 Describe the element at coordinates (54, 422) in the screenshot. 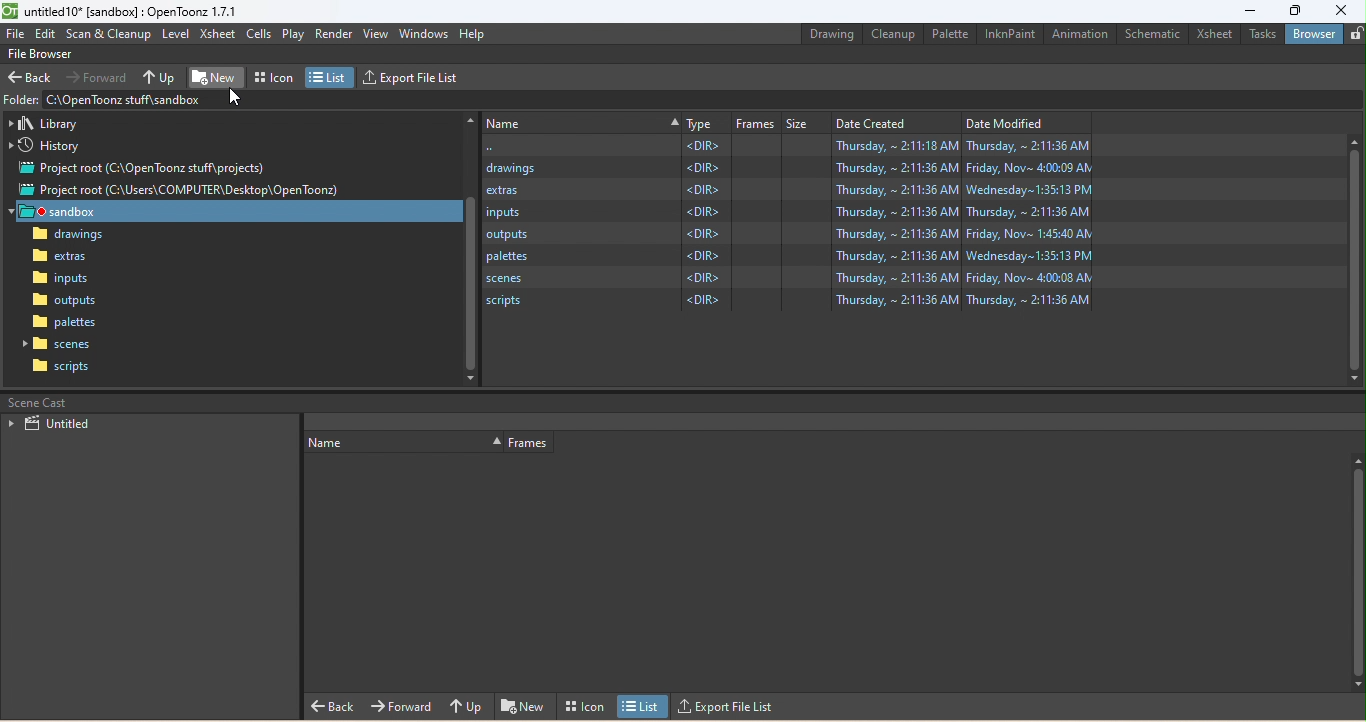

I see `Untitled` at that location.